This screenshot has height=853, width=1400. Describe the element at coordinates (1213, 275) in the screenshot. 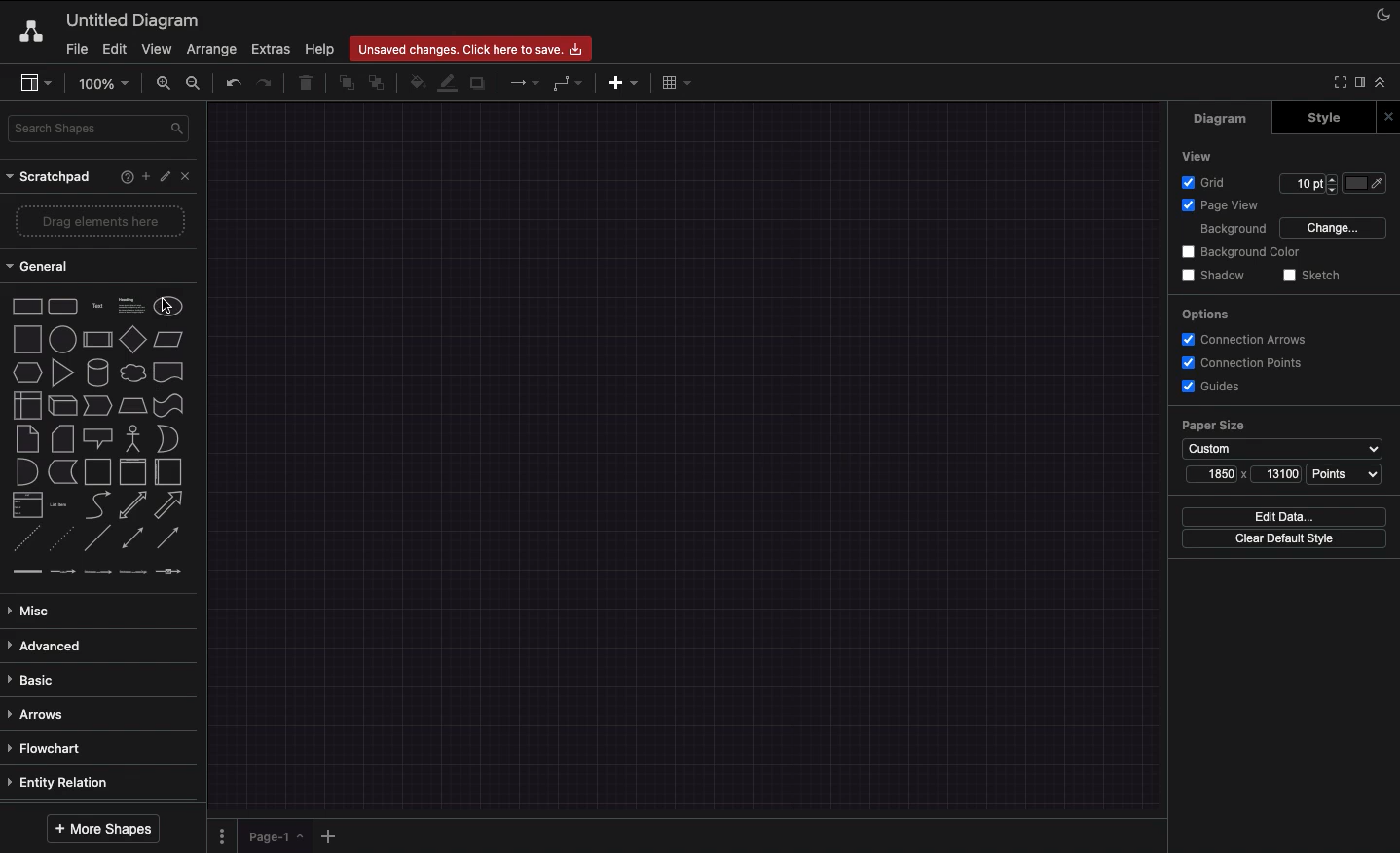

I see `Shadow` at that location.